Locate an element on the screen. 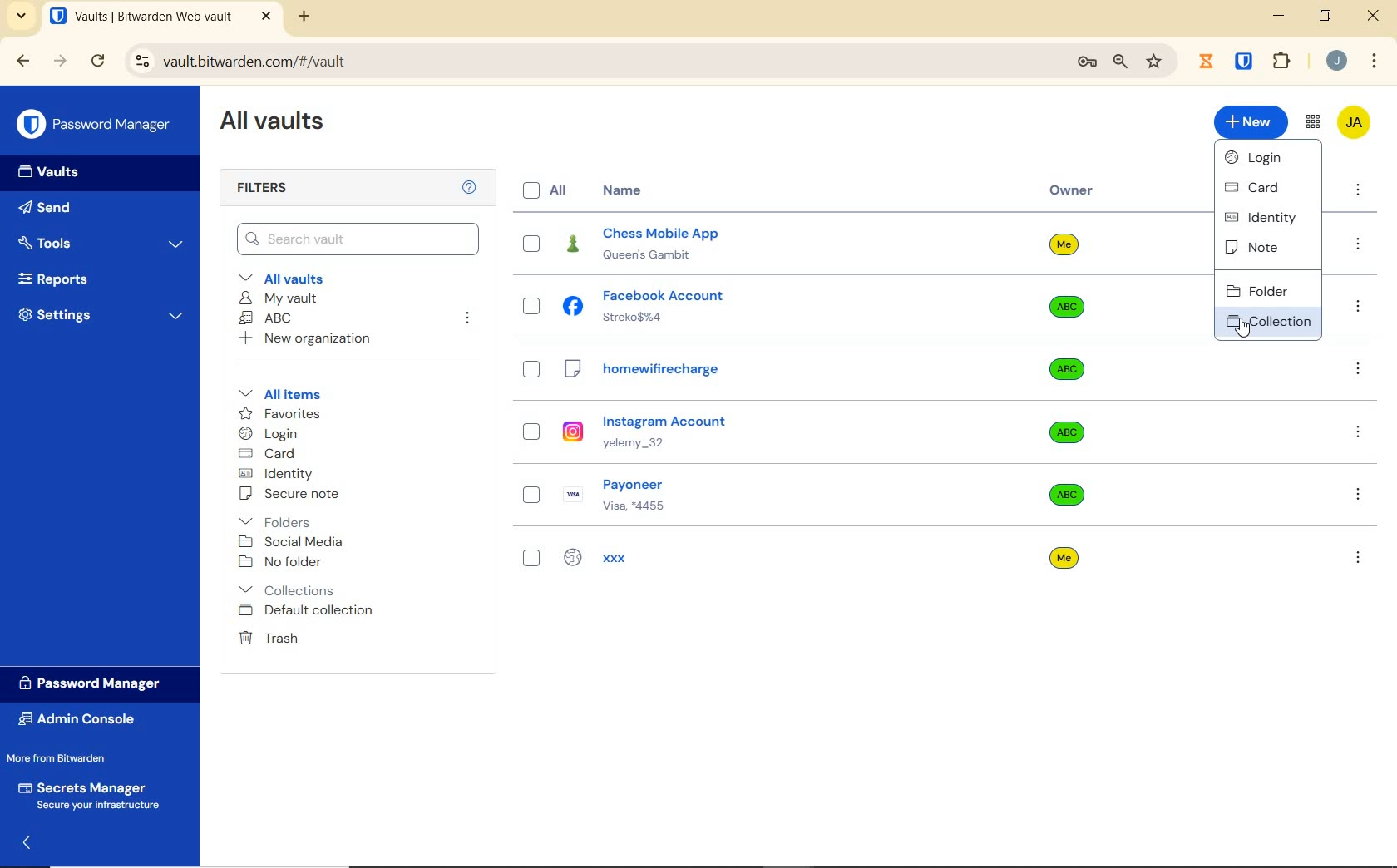 Image resolution: width=1397 pixels, height=868 pixels. Filters is located at coordinates (331, 186).